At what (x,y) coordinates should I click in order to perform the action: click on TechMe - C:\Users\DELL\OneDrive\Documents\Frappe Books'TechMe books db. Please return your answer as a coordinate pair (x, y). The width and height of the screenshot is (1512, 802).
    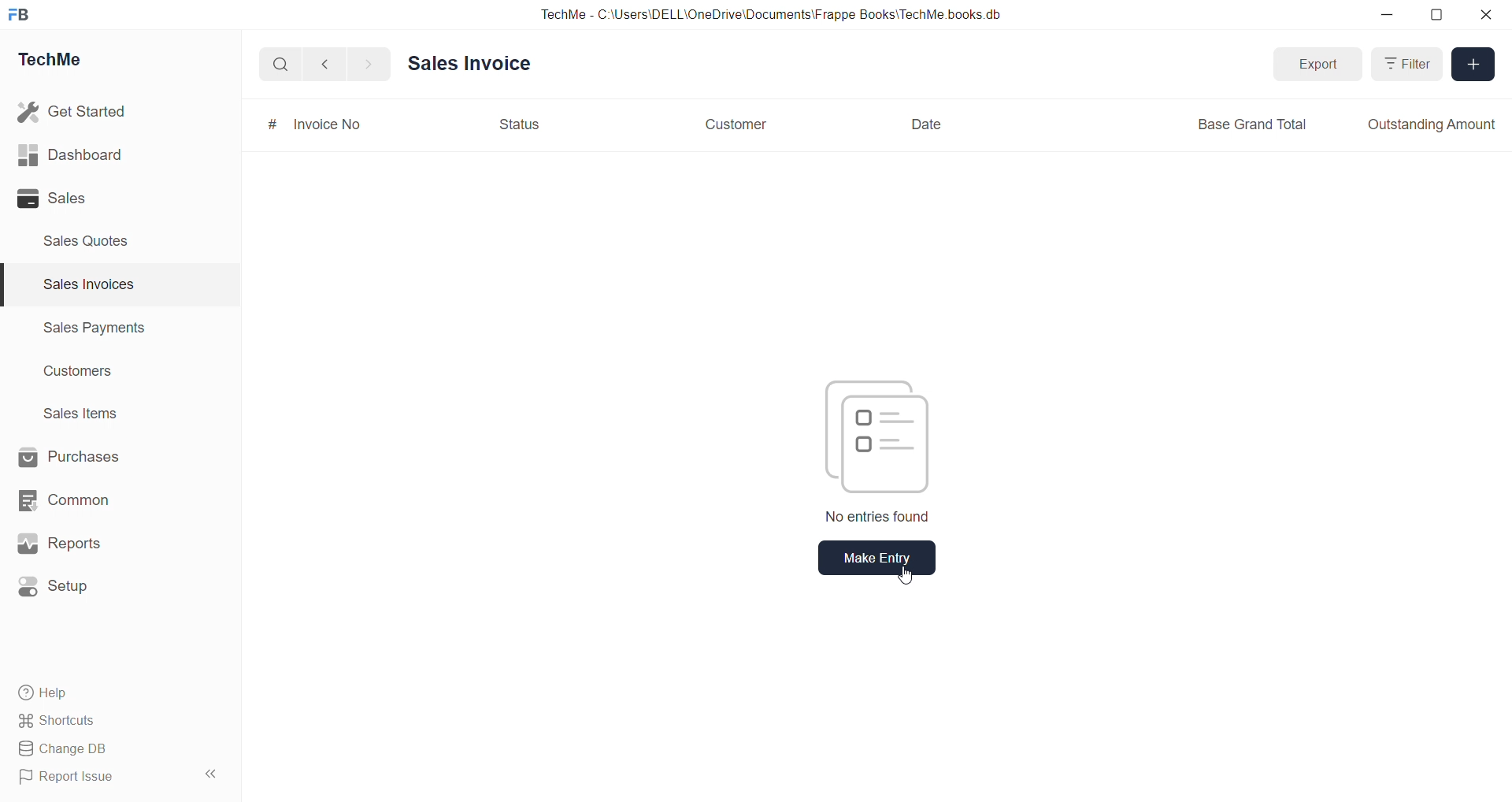
    Looking at the image, I should click on (775, 14).